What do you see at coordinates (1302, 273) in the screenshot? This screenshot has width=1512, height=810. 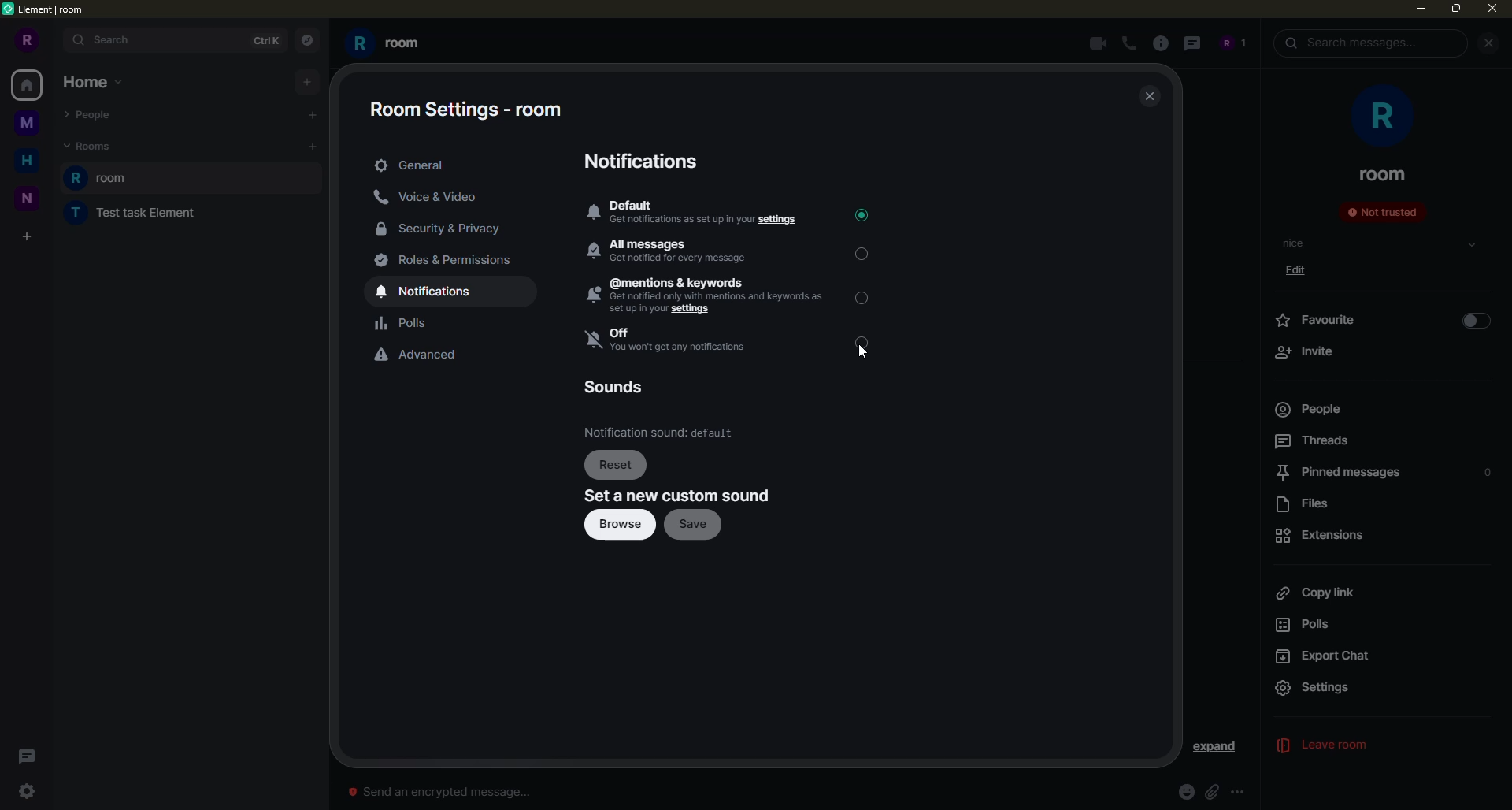 I see `edit` at bounding box center [1302, 273].